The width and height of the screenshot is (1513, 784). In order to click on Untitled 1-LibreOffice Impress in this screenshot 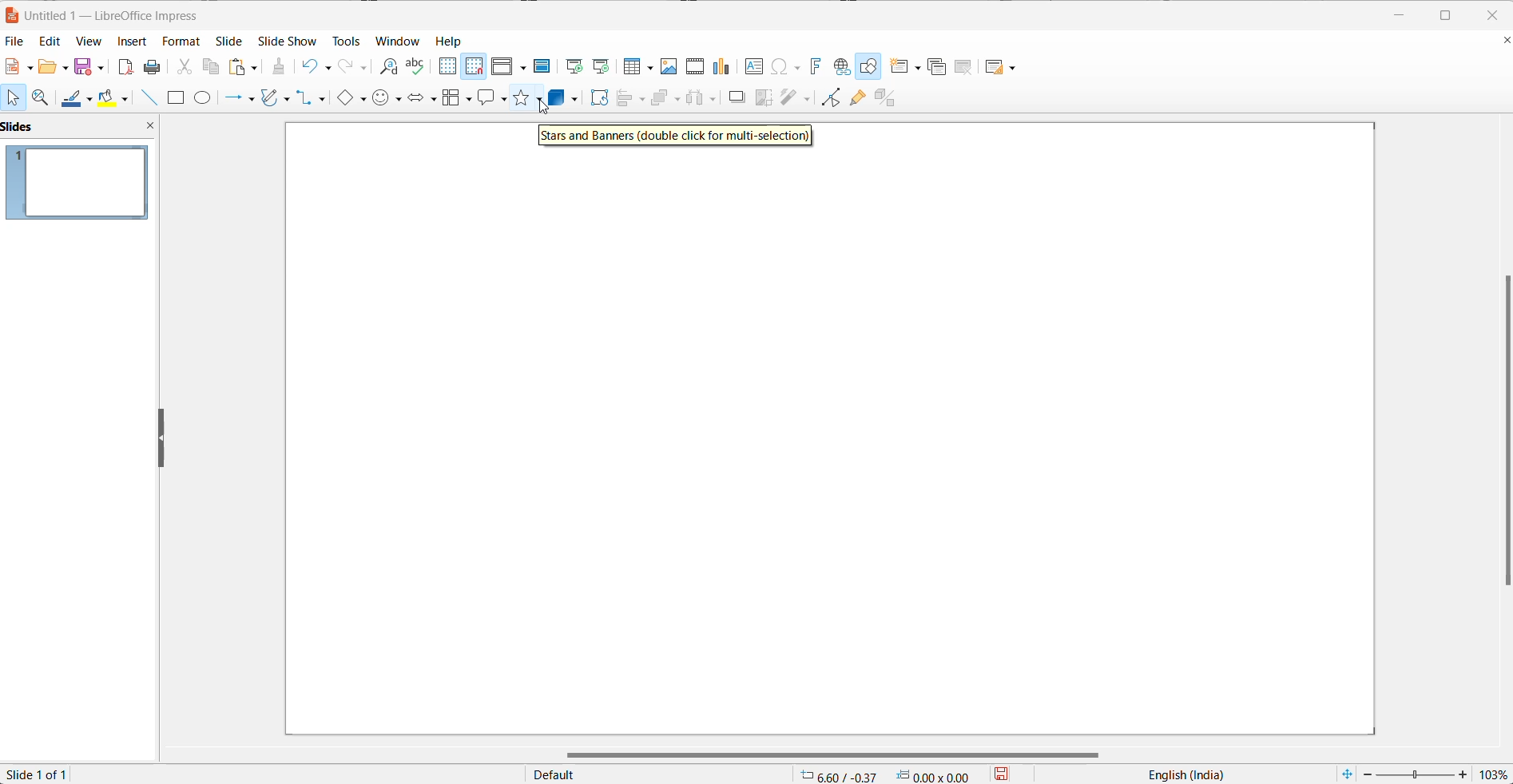, I will do `click(124, 14)`.